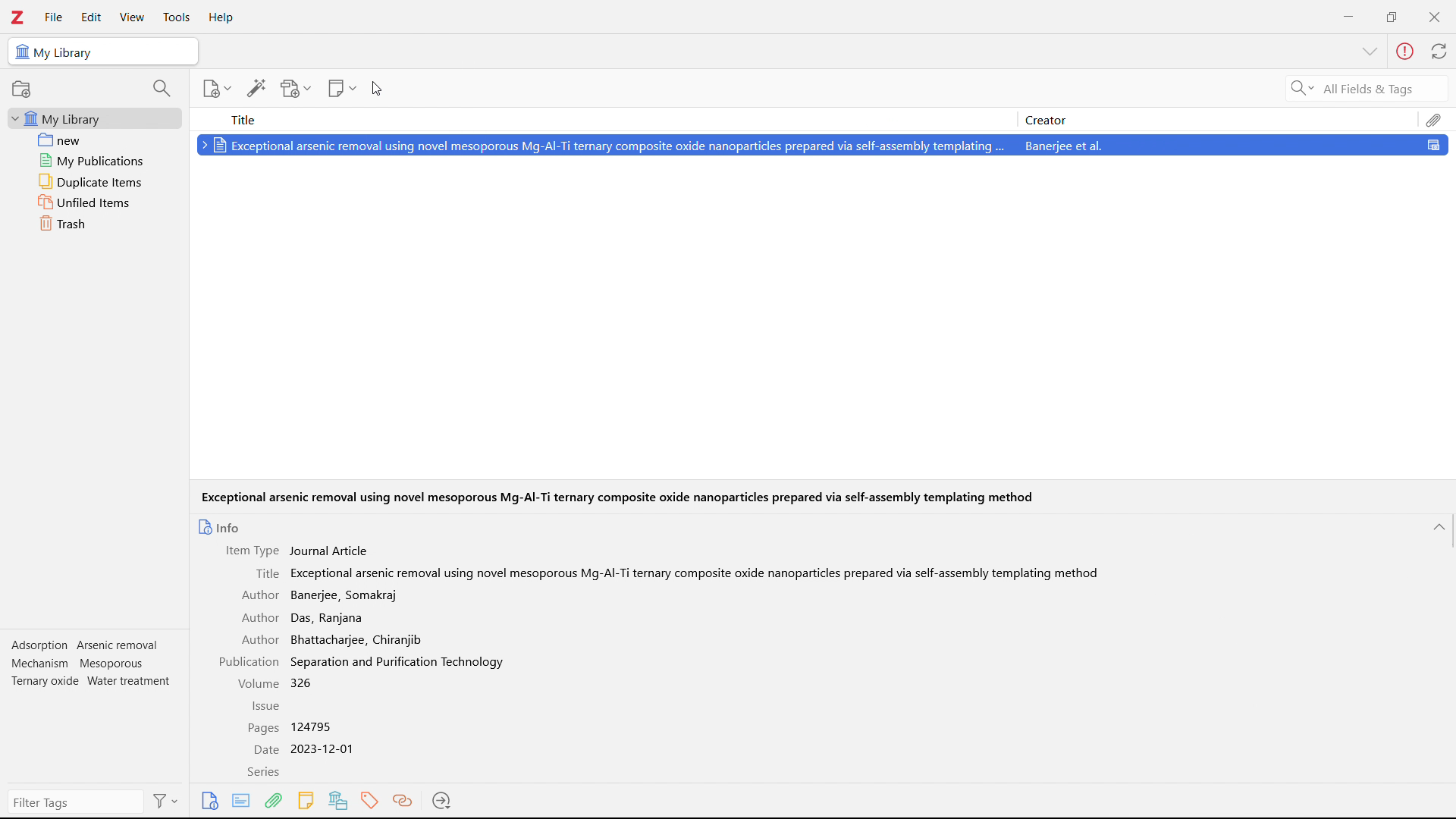 This screenshot has height=819, width=1456. I want to click on info, so click(209, 801).